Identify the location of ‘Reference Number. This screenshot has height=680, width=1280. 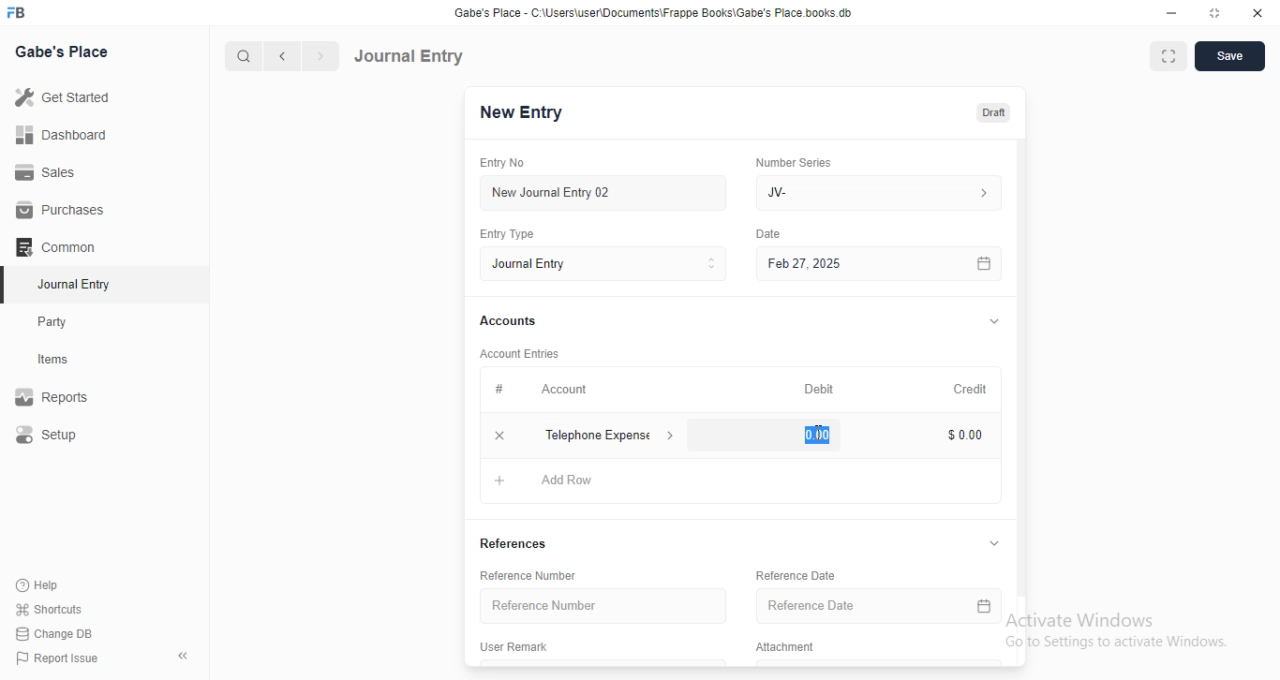
(599, 606).